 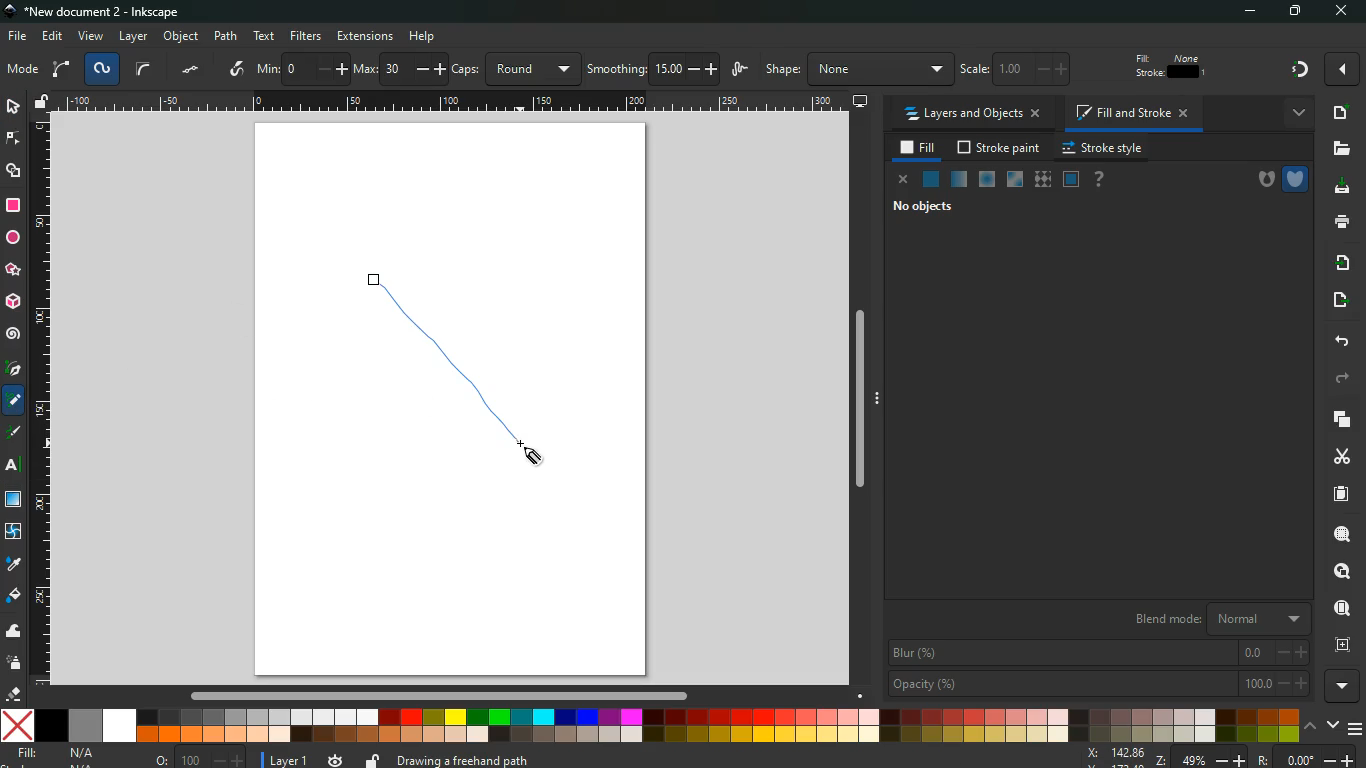 What do you see at coordinates (1336, 221) in the screenshot?
I see `print` at bounding box center [1336, 221].